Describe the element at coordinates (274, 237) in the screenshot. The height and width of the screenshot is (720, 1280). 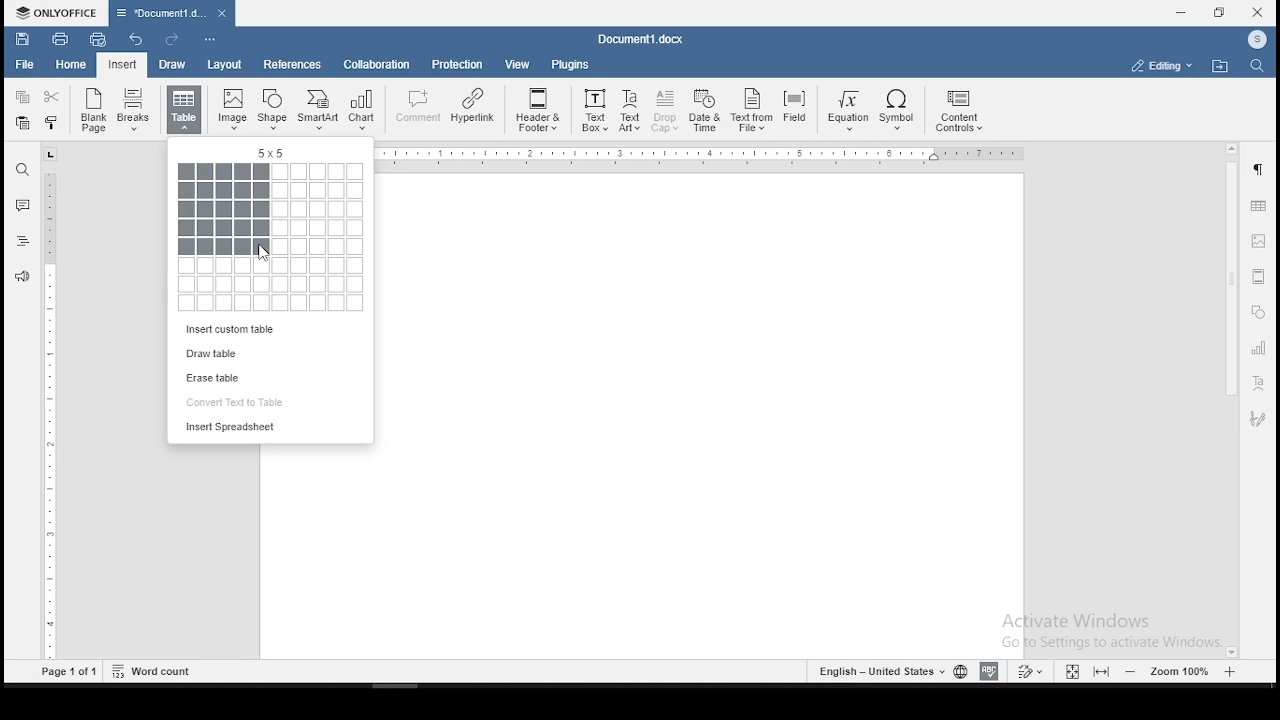
I see `table size selector` at that location.